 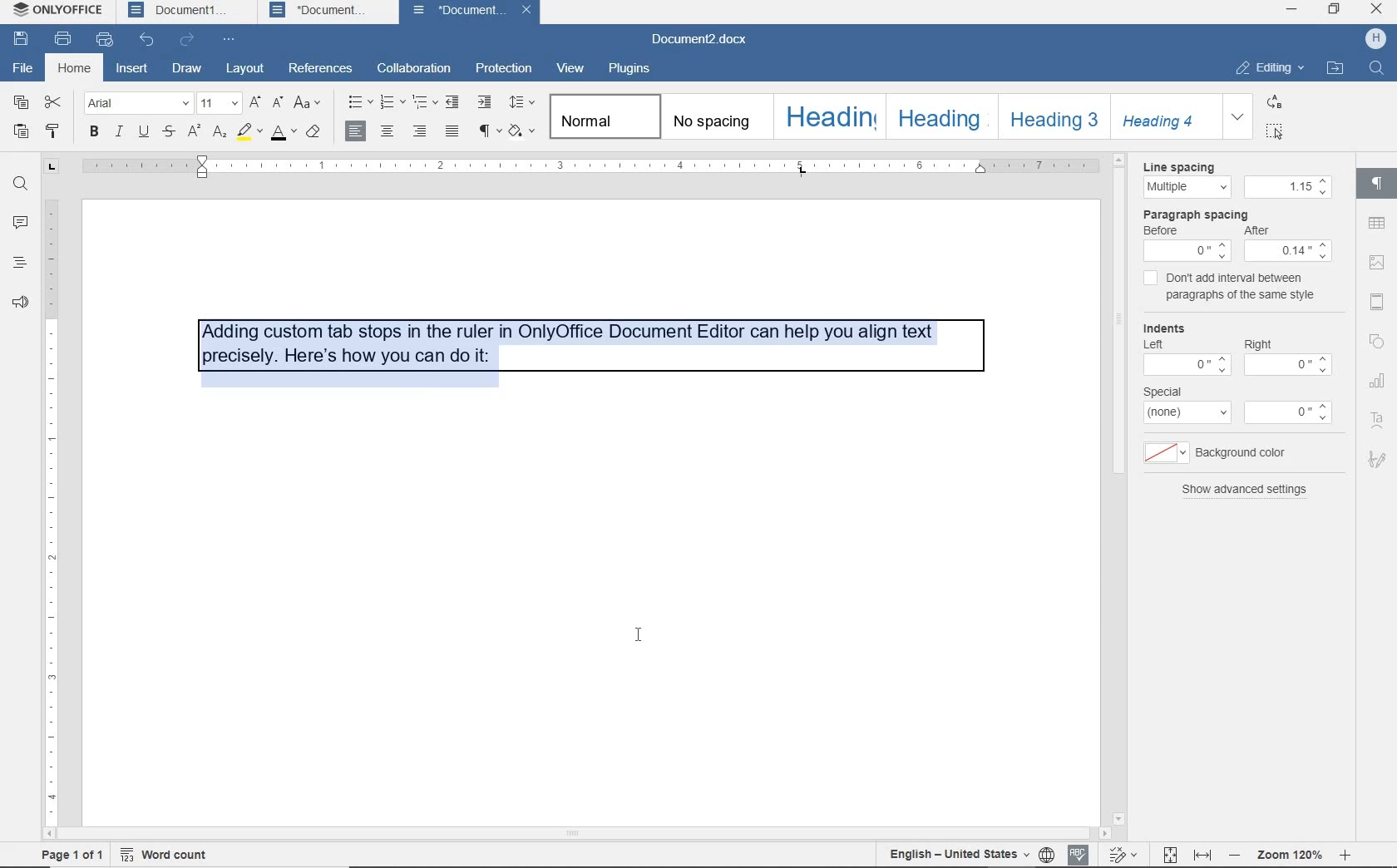 I want to click on text art, so click(x=1379, y=414).